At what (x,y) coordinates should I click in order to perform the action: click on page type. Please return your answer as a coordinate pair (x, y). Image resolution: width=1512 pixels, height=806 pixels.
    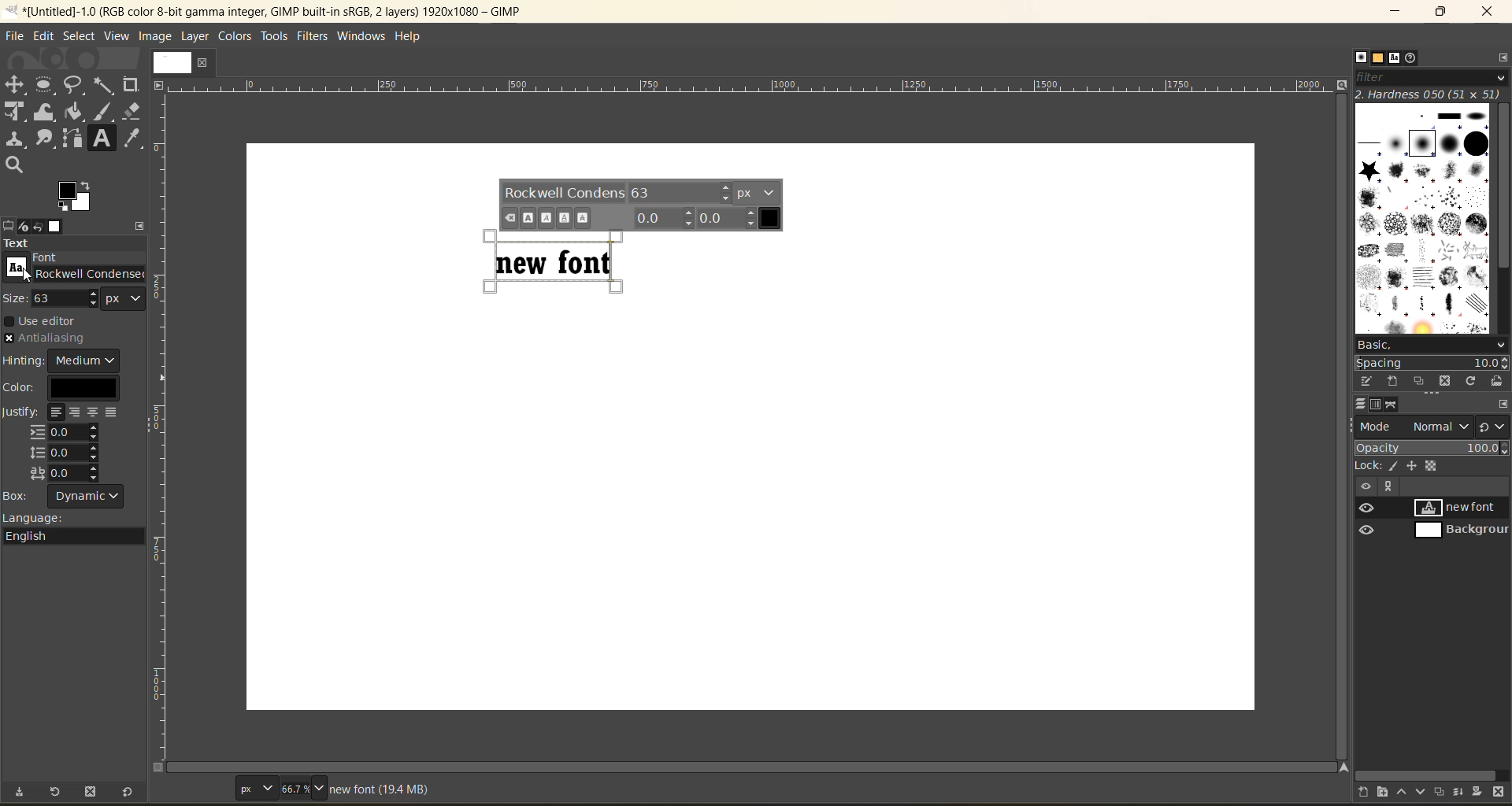
    Looking at the image, I should click on (254, 786).